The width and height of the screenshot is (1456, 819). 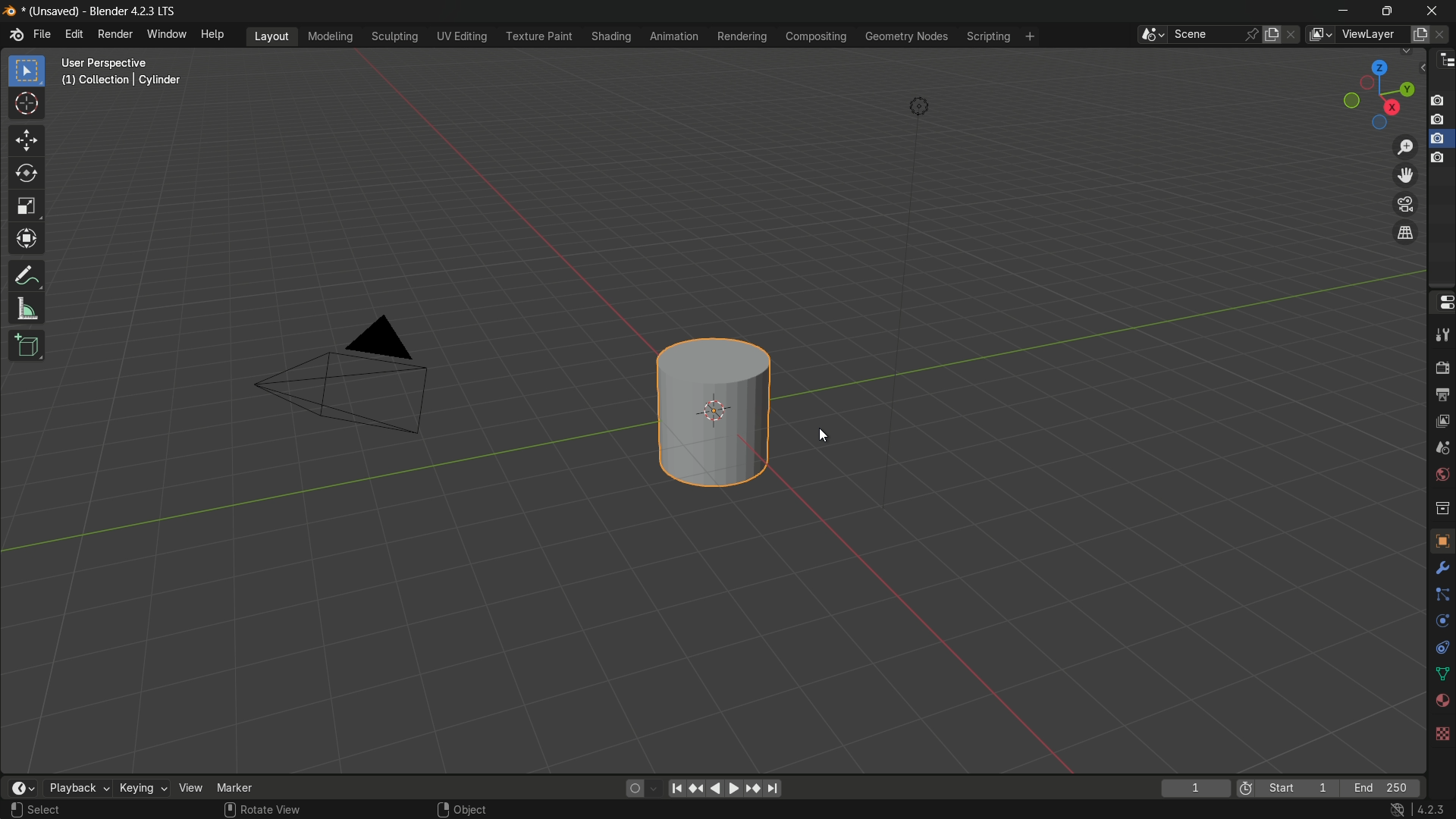 What do you see at coordinates (1439, 571) in the screenshot?
I see `tools` at bounding box center [1439, 571].